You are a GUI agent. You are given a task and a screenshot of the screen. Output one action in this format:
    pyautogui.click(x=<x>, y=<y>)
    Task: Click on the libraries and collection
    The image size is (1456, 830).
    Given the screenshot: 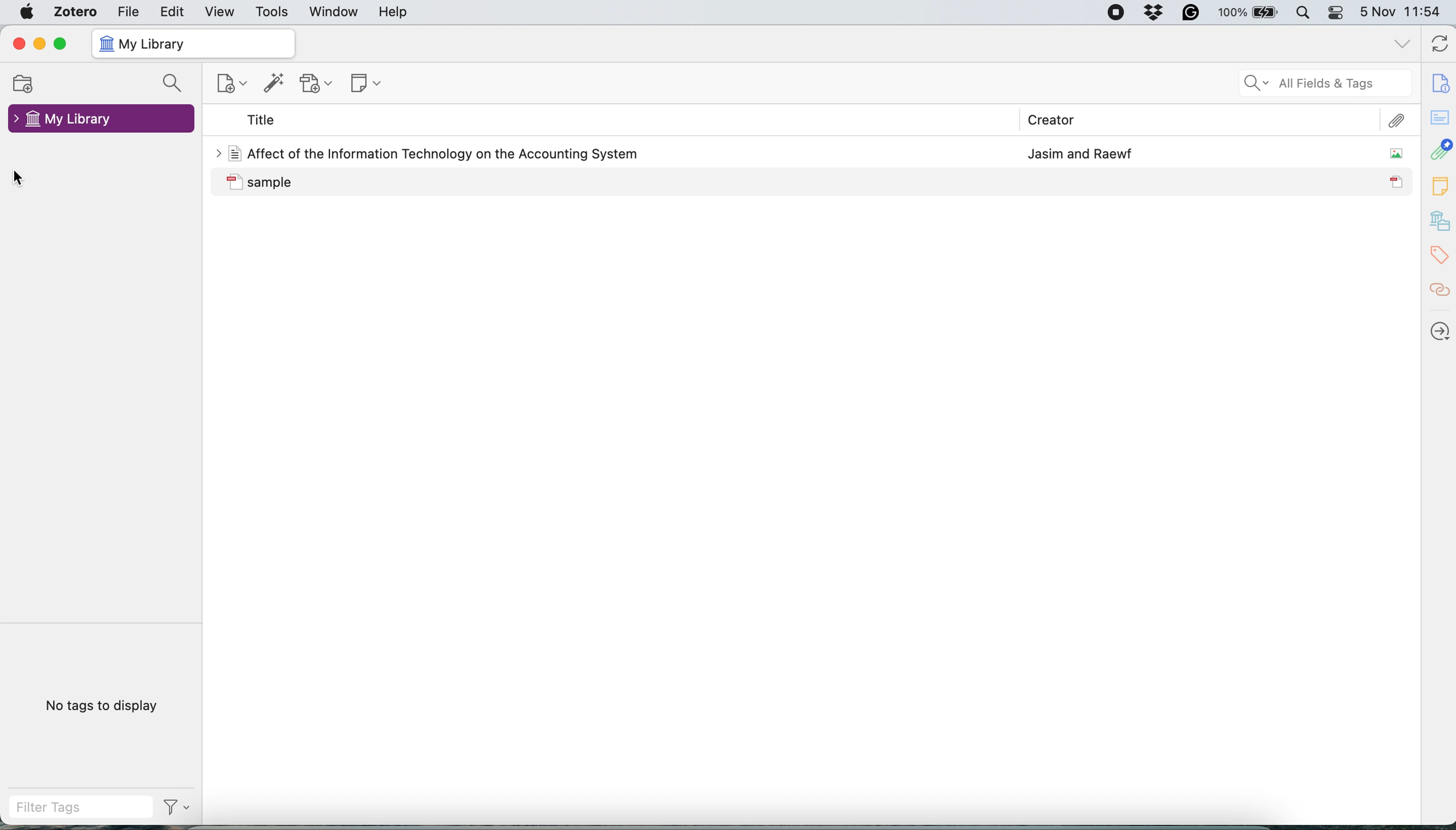 What is the action you would take?
    pyautogui.click(x=1438, y=219)
    